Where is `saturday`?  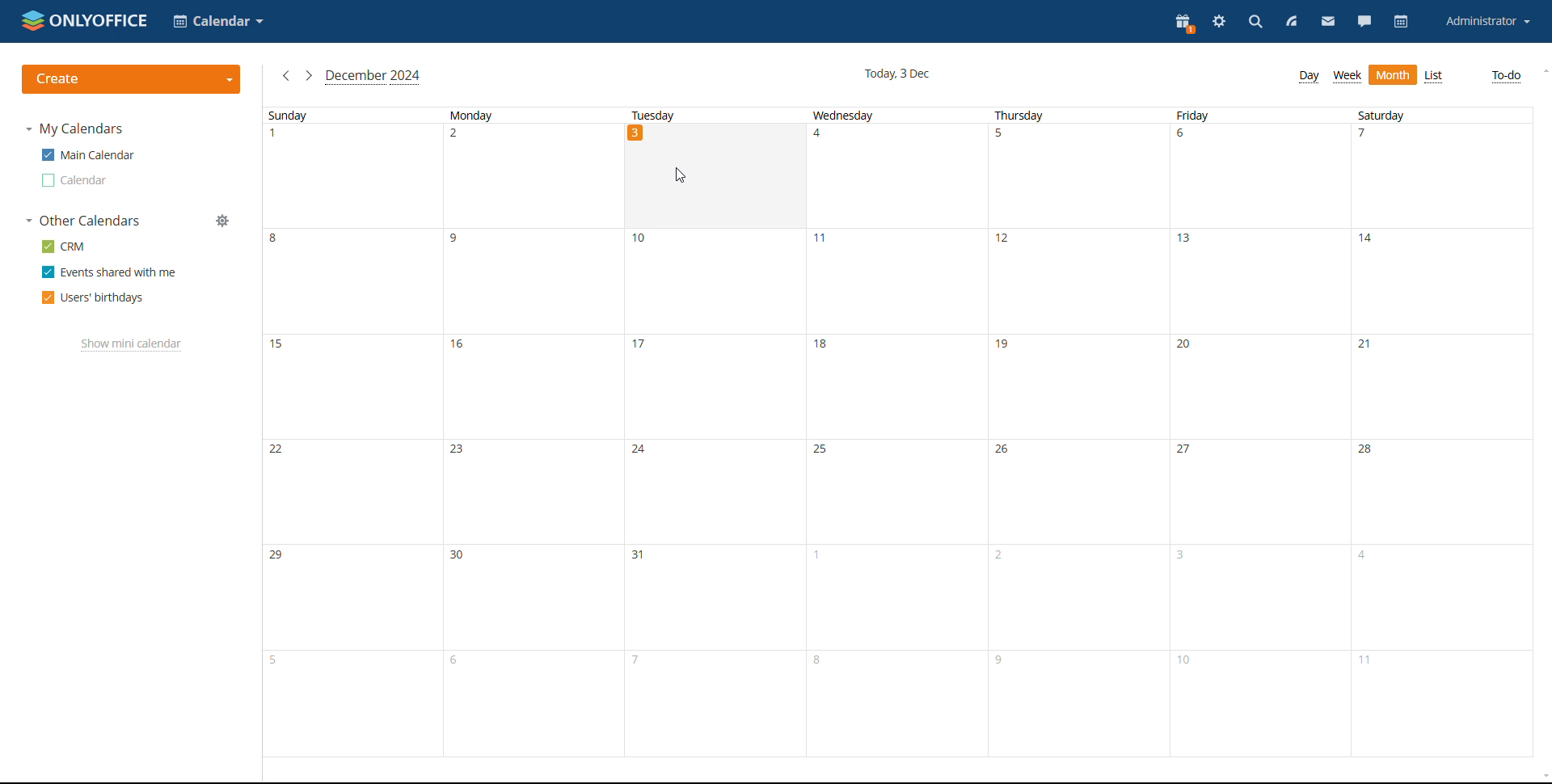 saturday is located at coordinates (1440, 432).